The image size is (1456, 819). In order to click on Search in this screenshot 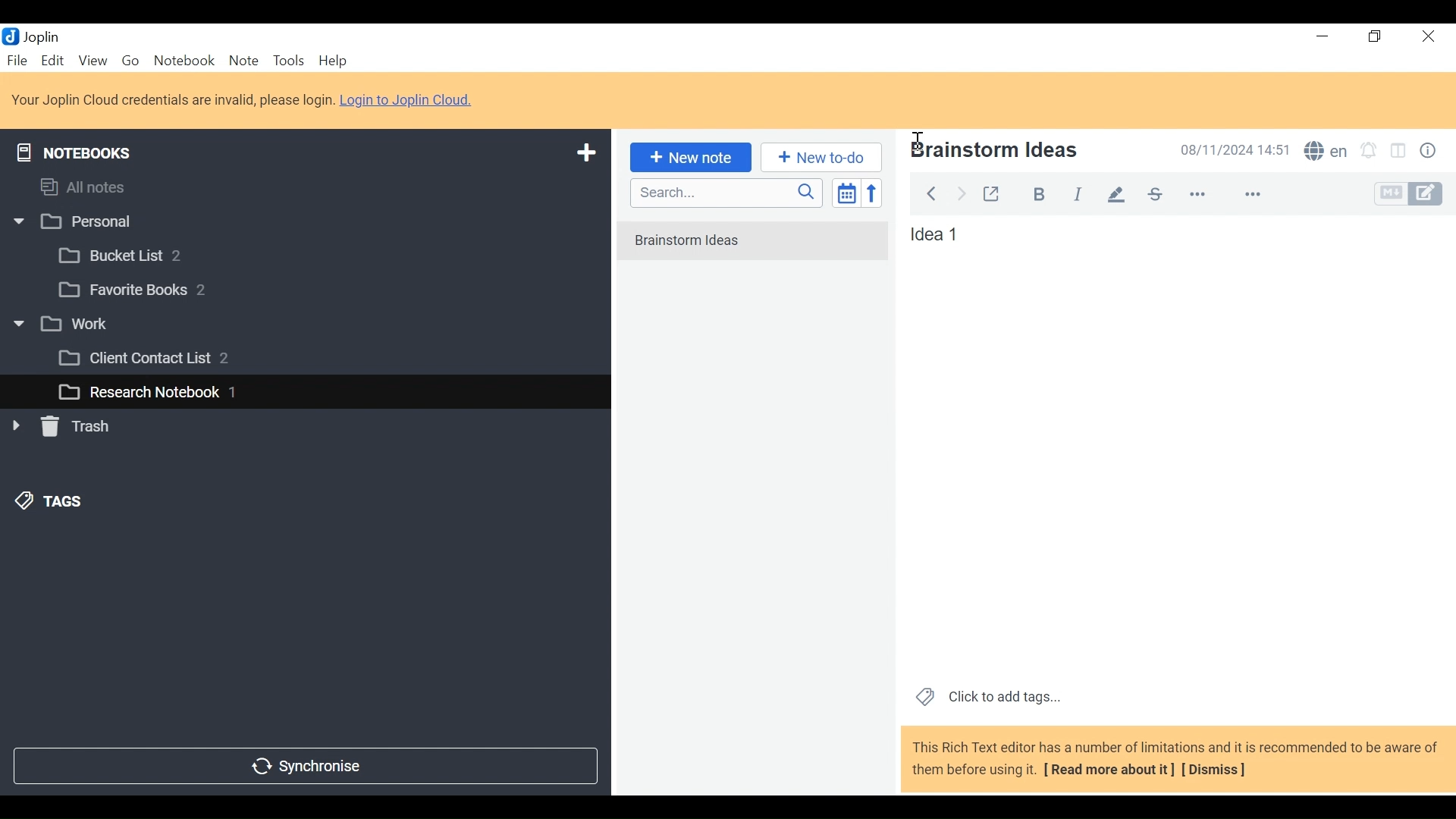, I will do `click(724, 193)`.